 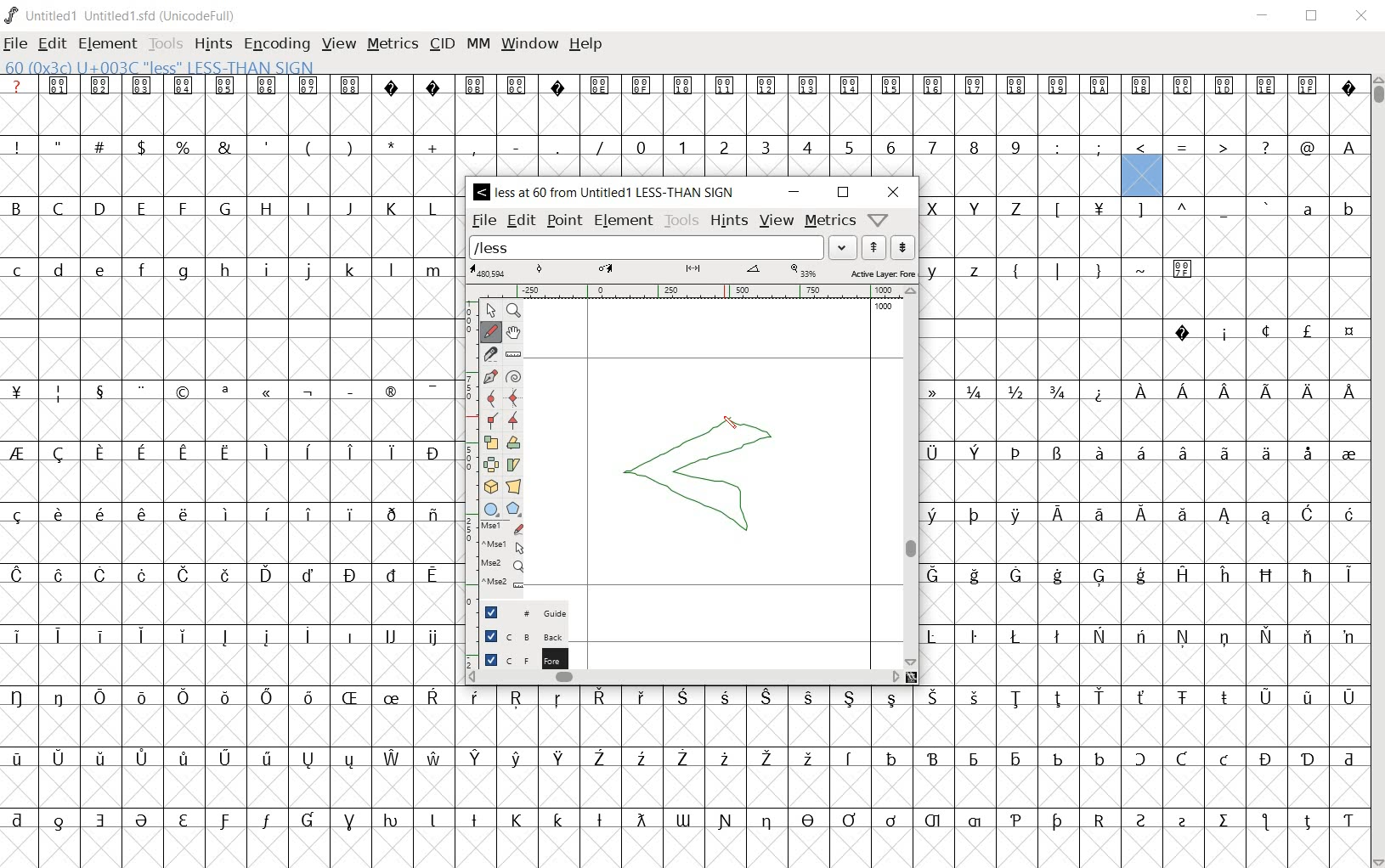 I want to click on Add a corner point, so click(x=492, y=420).